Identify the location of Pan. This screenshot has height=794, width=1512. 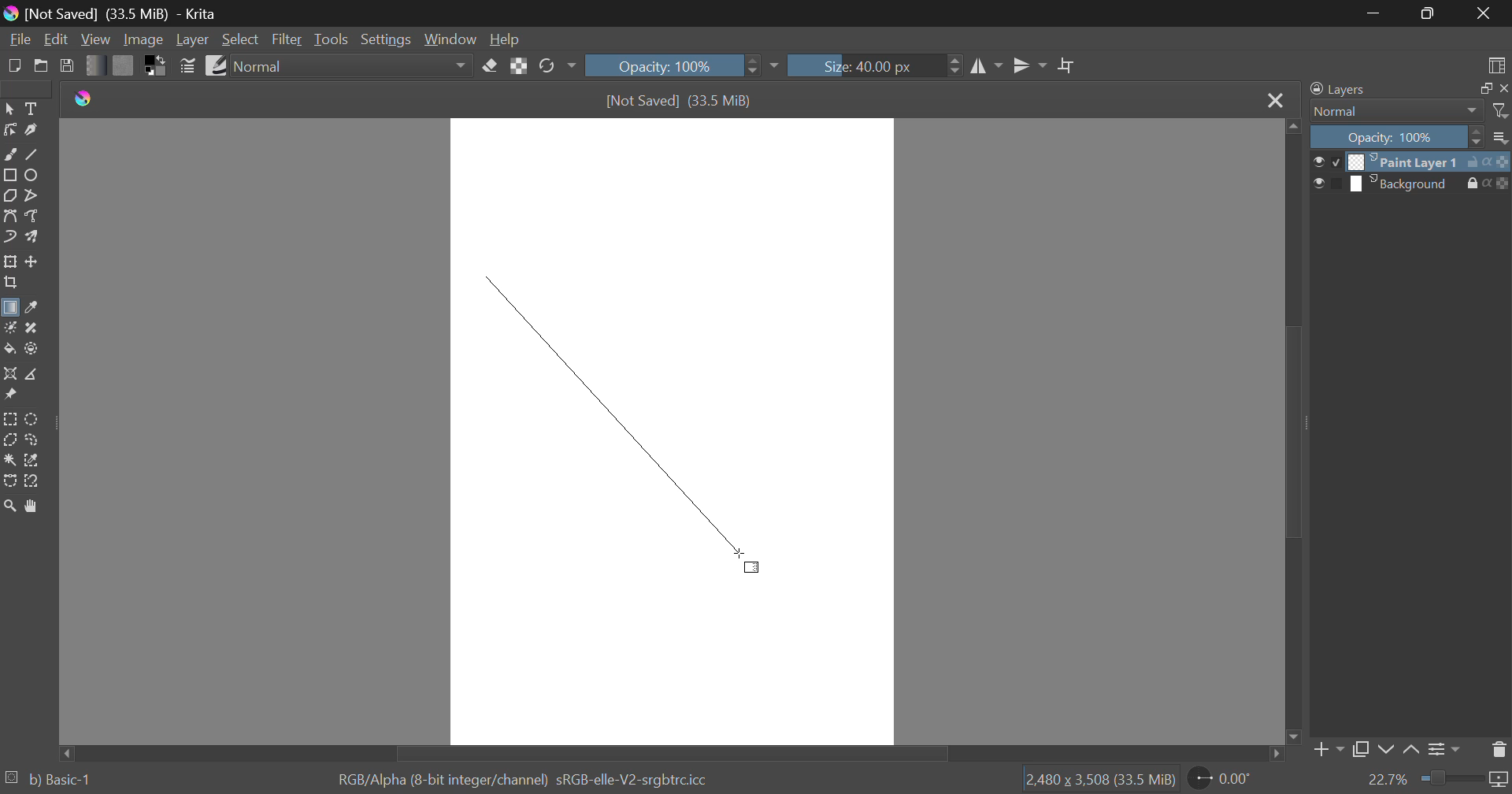
(30, 506).